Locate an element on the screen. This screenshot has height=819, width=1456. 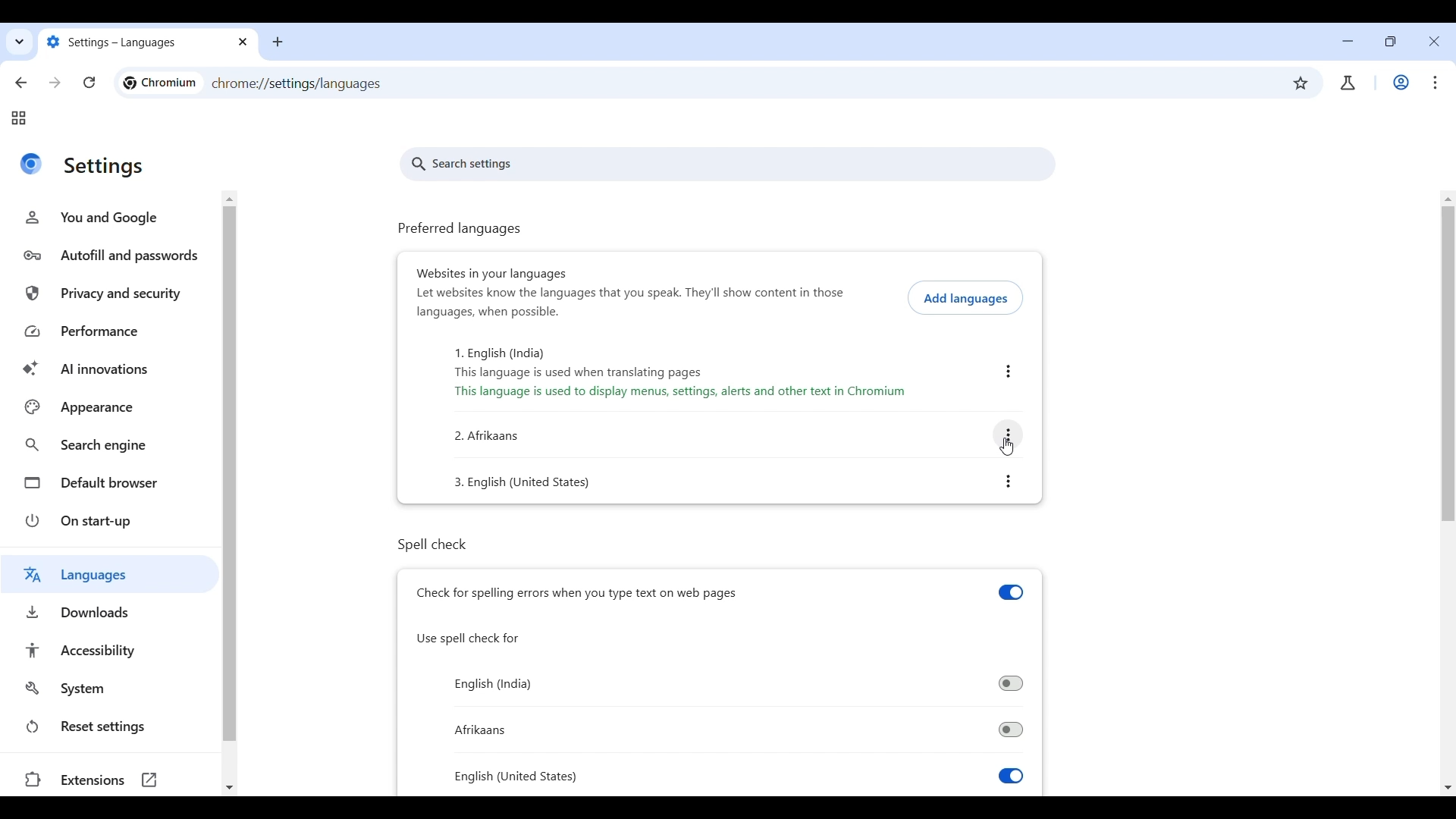
English (India) settings is located at coordinates (1008, 372).